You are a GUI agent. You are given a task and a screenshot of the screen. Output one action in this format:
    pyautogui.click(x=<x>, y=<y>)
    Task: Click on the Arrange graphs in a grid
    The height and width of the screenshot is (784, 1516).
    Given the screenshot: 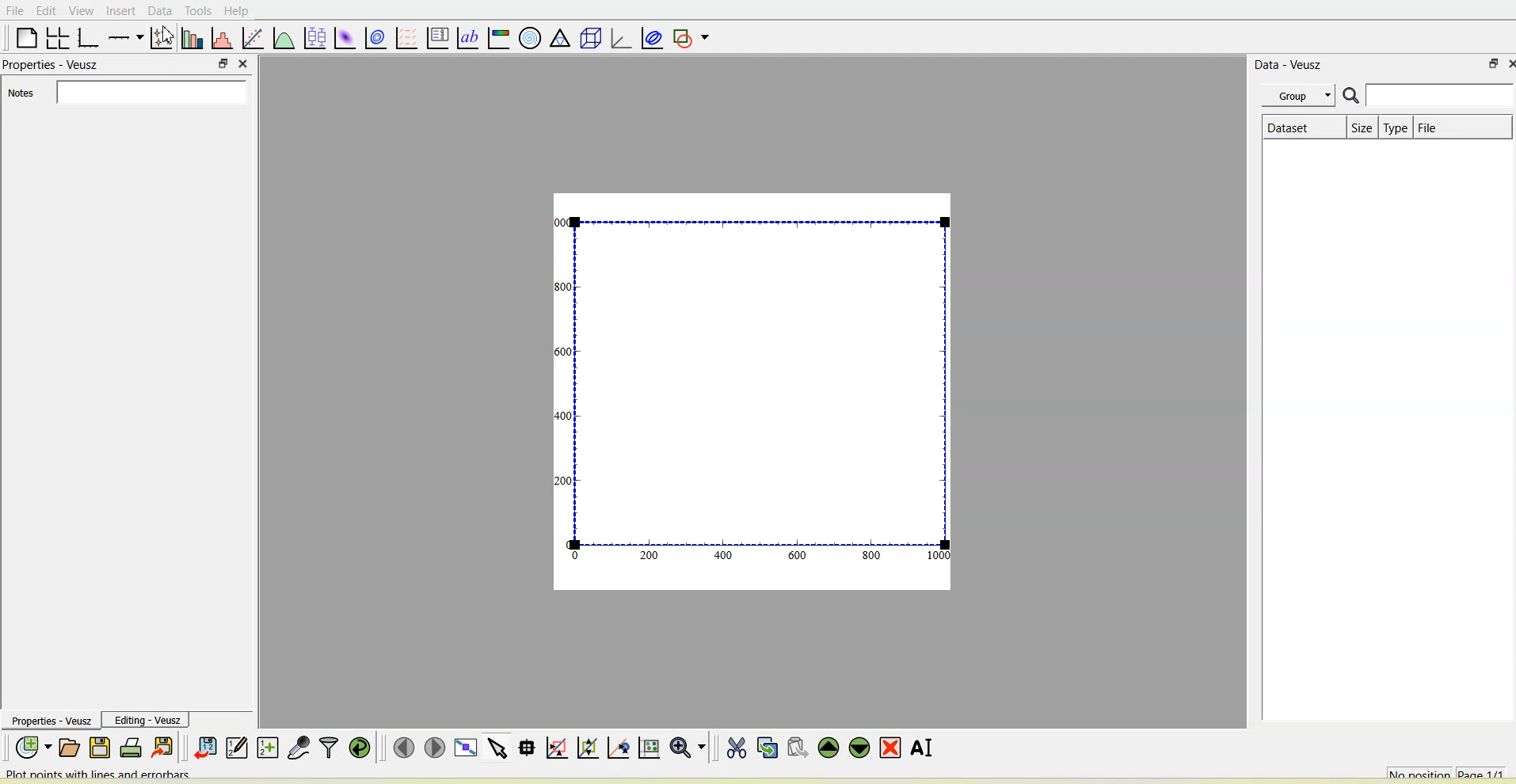 What is the action you would take?
    pyautogui.click(x=58, y=38)
    